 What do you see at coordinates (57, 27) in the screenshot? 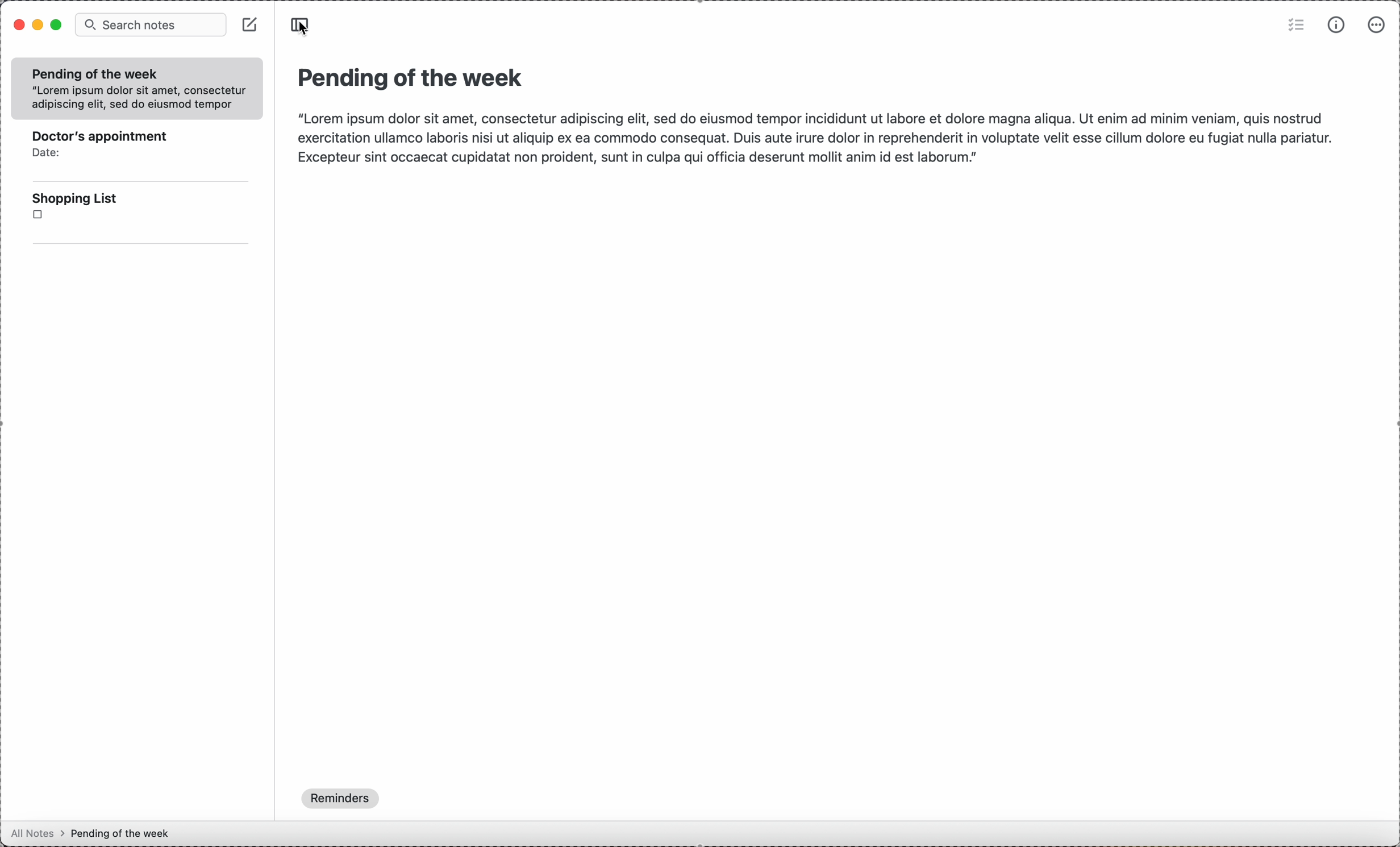
I see `maximize` at bounding box center [57, 27].